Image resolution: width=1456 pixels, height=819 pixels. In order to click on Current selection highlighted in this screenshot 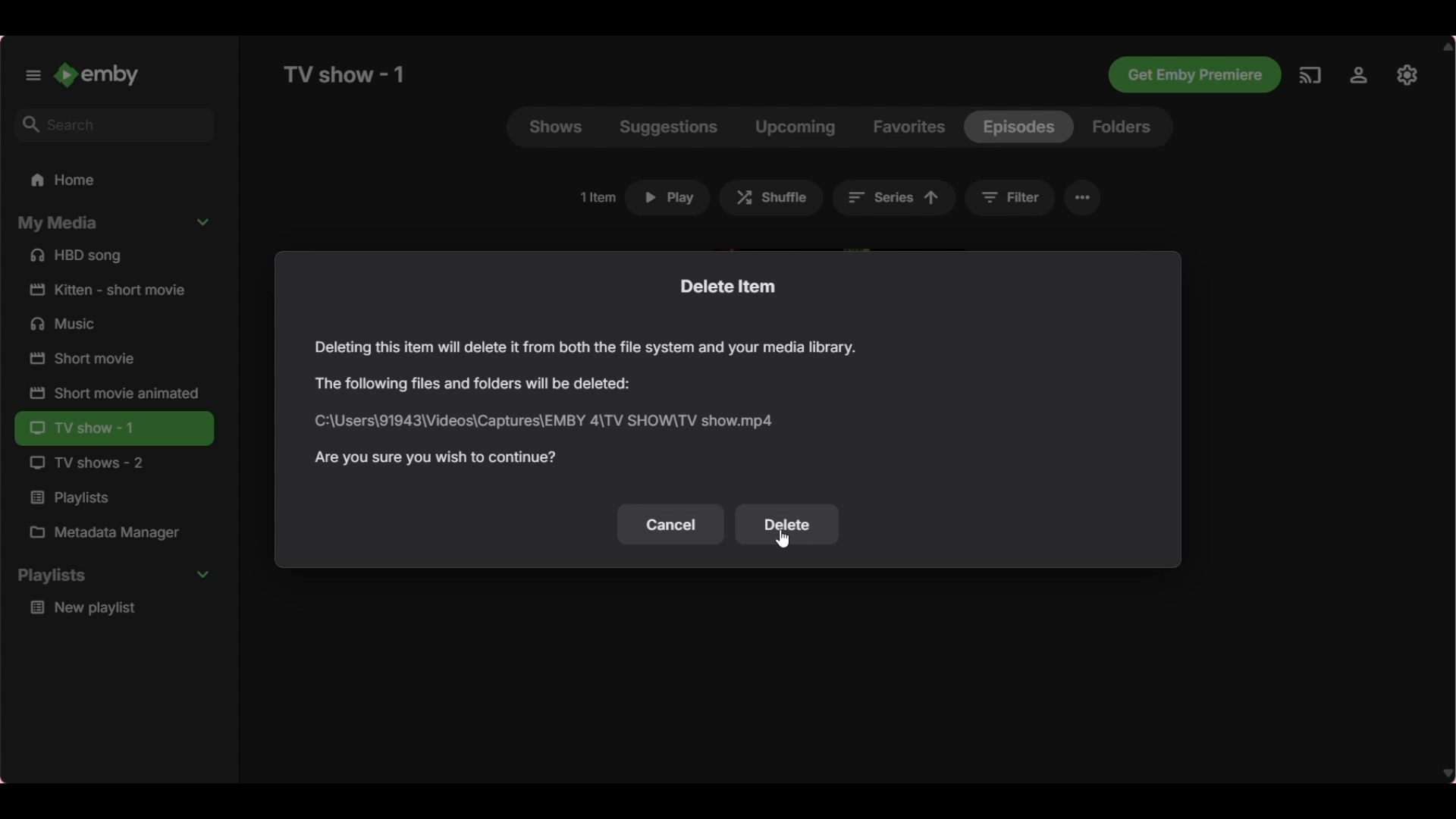, I will do `click(1018, 127)`.